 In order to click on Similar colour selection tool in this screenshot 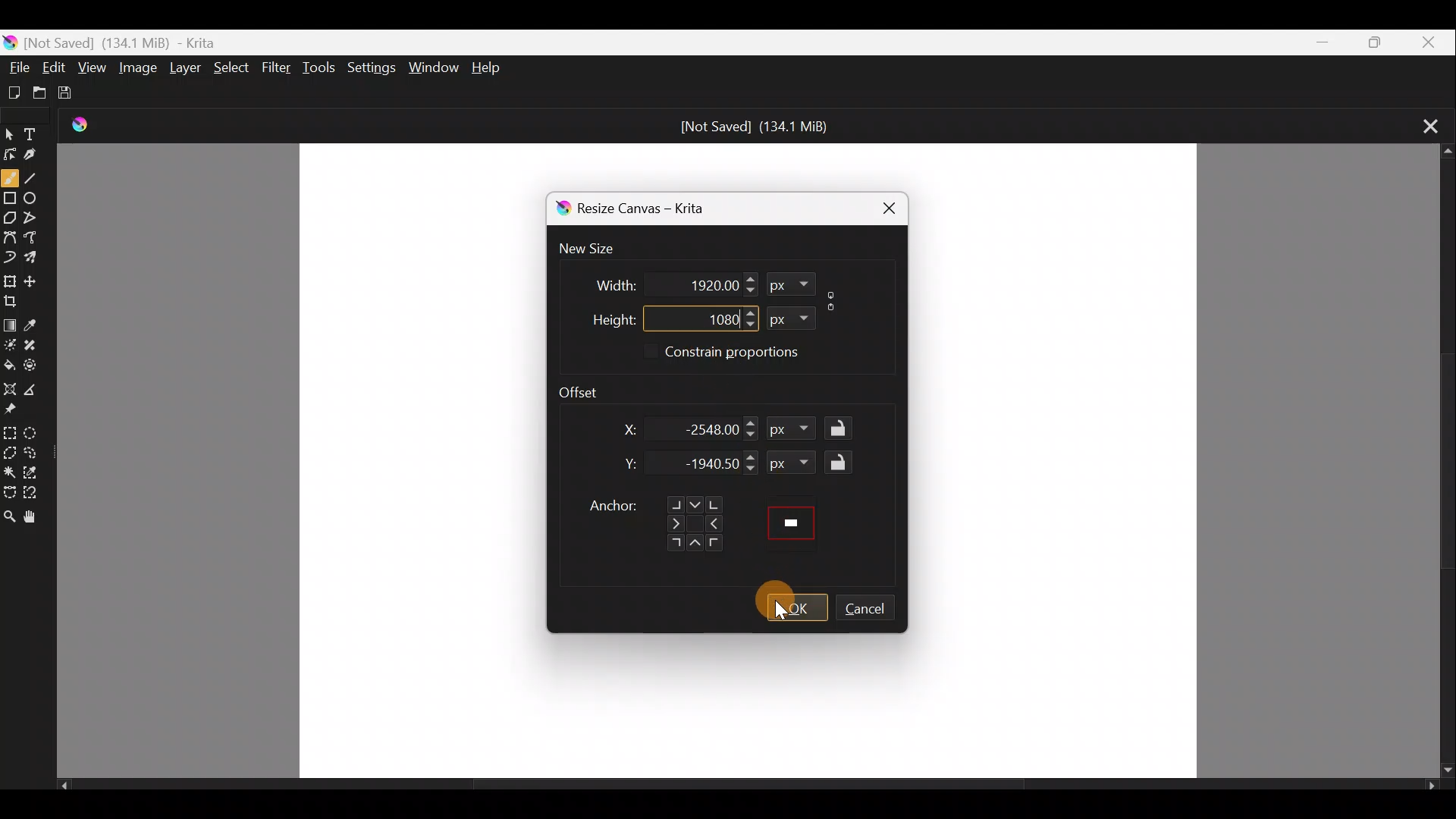, I will do `click(37, 474)`.